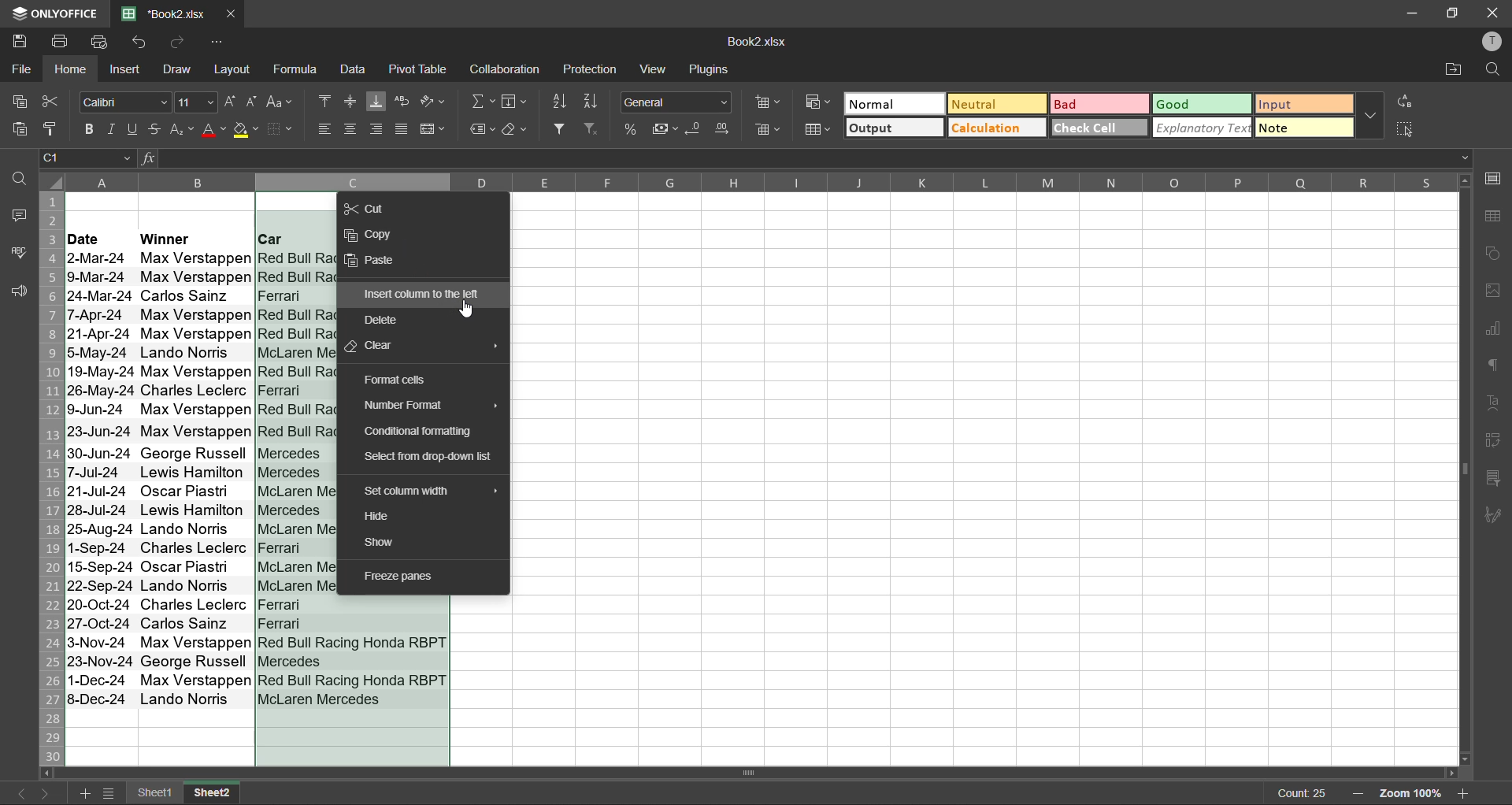 The image size is (1512, 805). I want to click on profile, so click(1492, 41).